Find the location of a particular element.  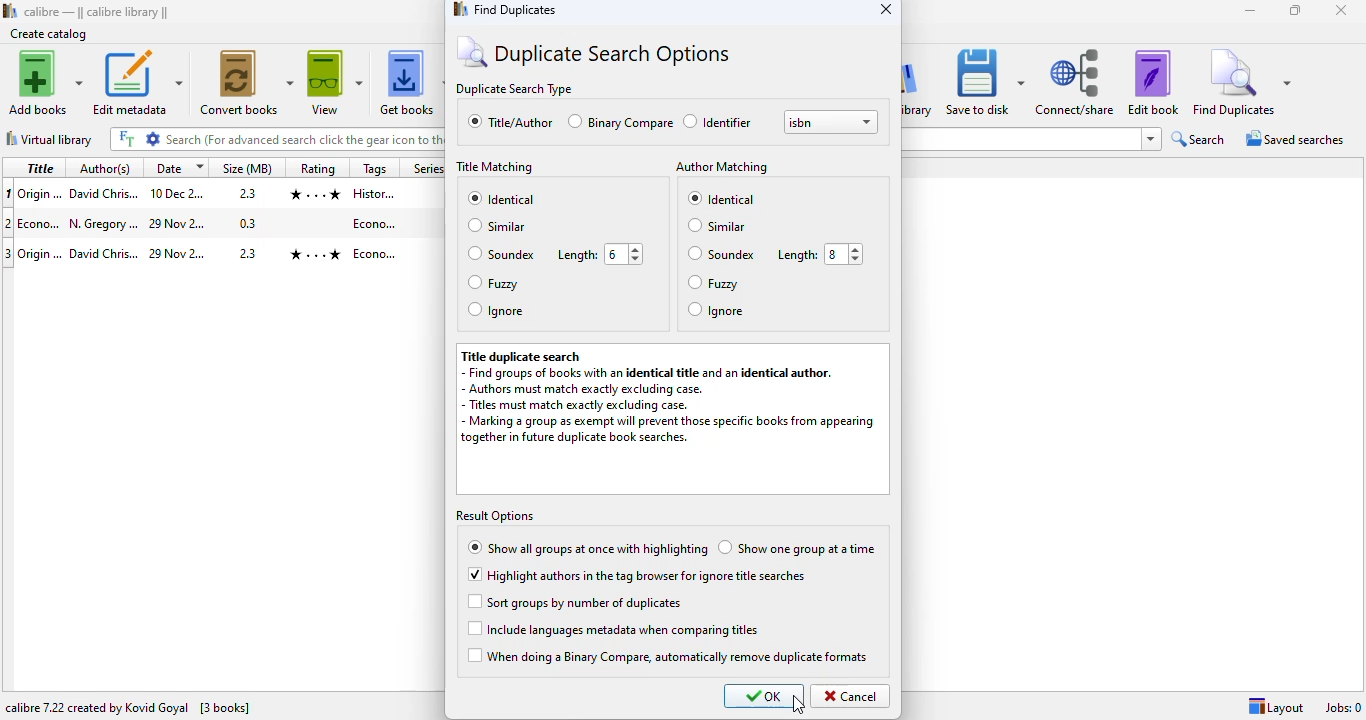

virtual library is located at coordinates (49, 138).